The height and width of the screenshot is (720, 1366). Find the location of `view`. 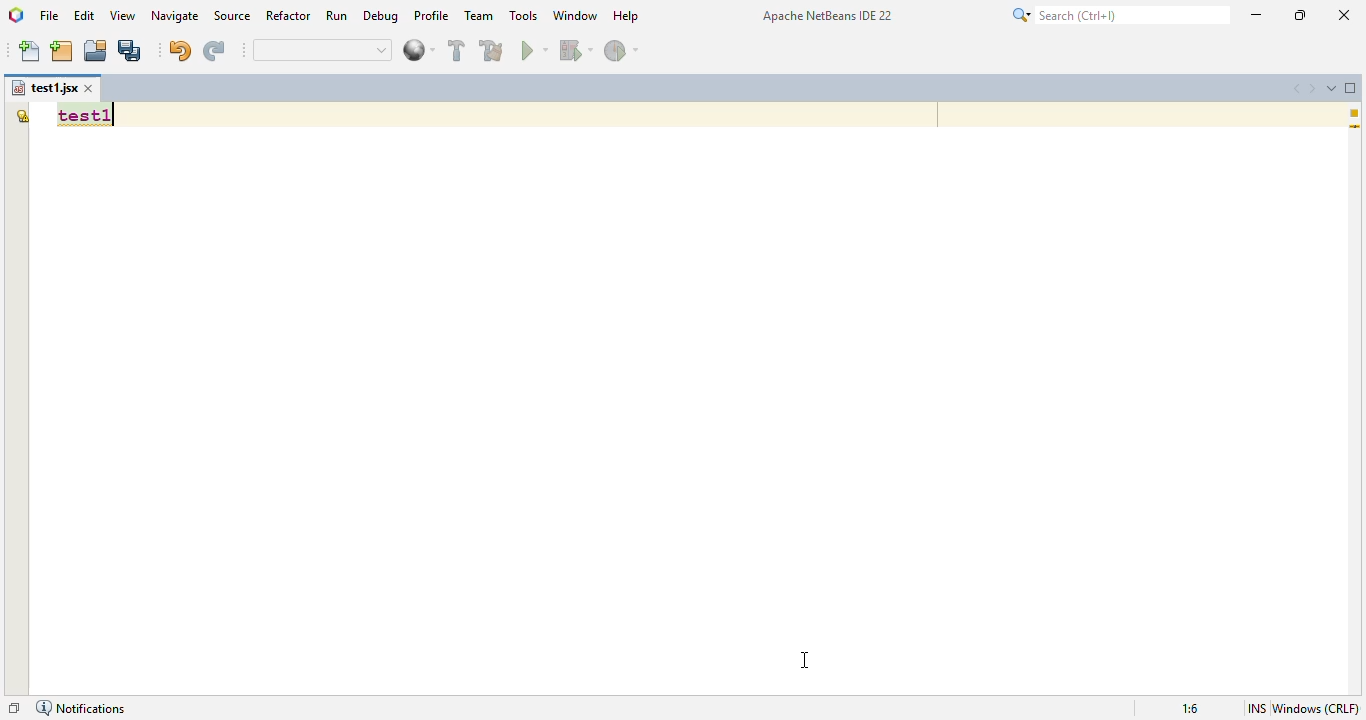

view is located at coordinates (123, 16).